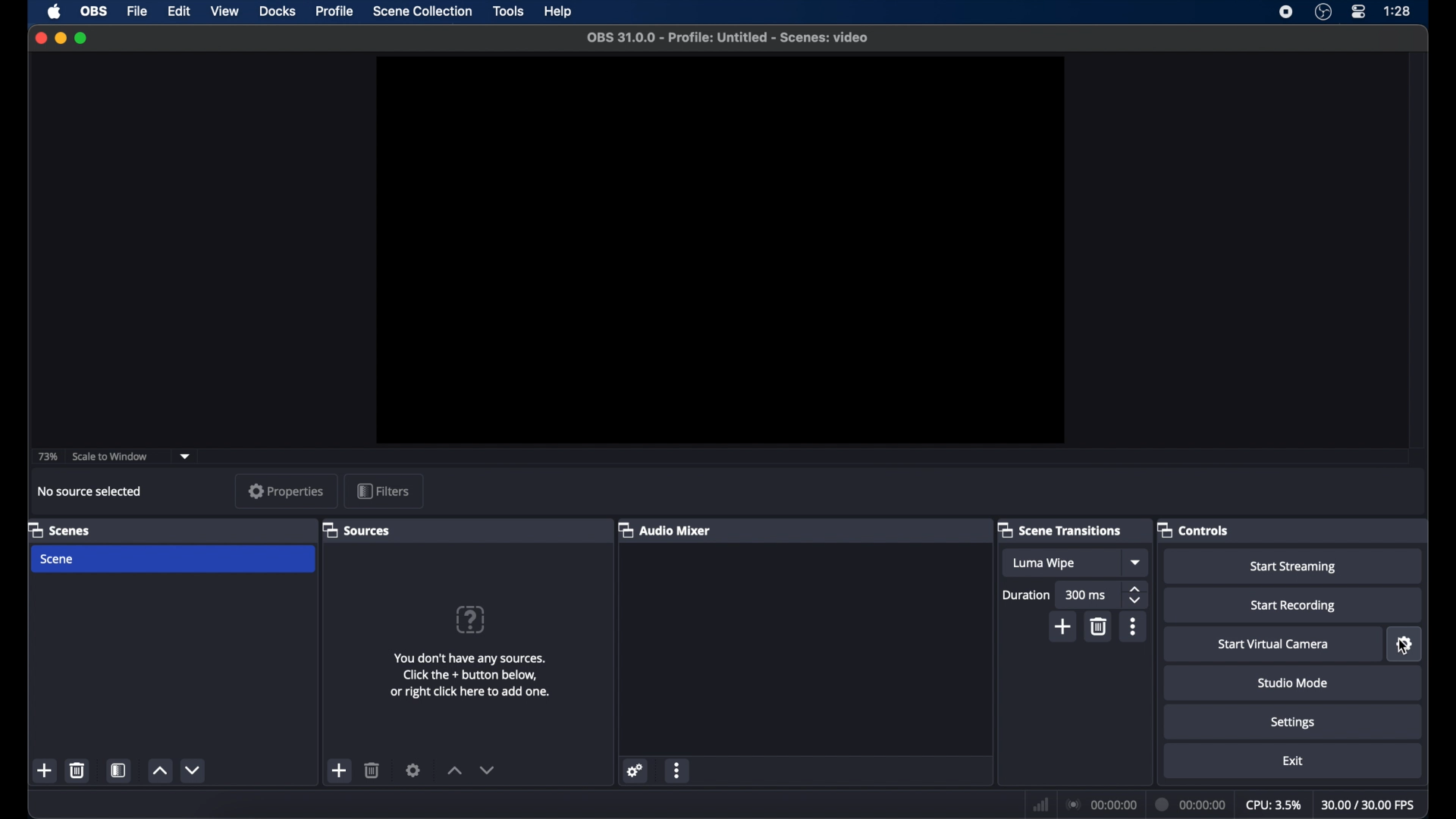 The width and height of the screenshot is (1456, 819). What do you see at coordinates (1292, 761) in the screenshot?
I see `exit` at bounding box center [1292, 761].